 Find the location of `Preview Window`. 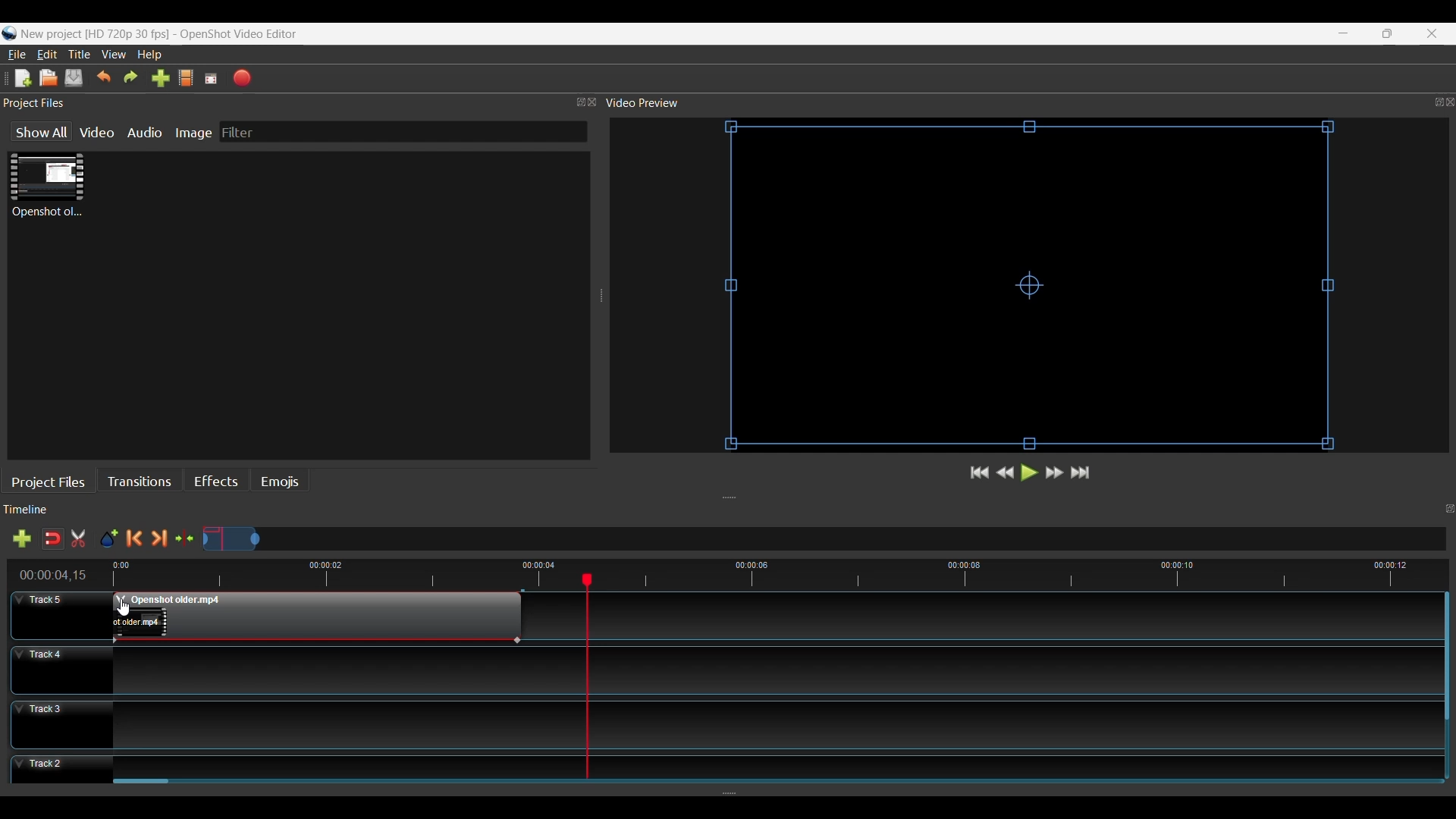

Preview Window is located at coordinates (1034, 287).